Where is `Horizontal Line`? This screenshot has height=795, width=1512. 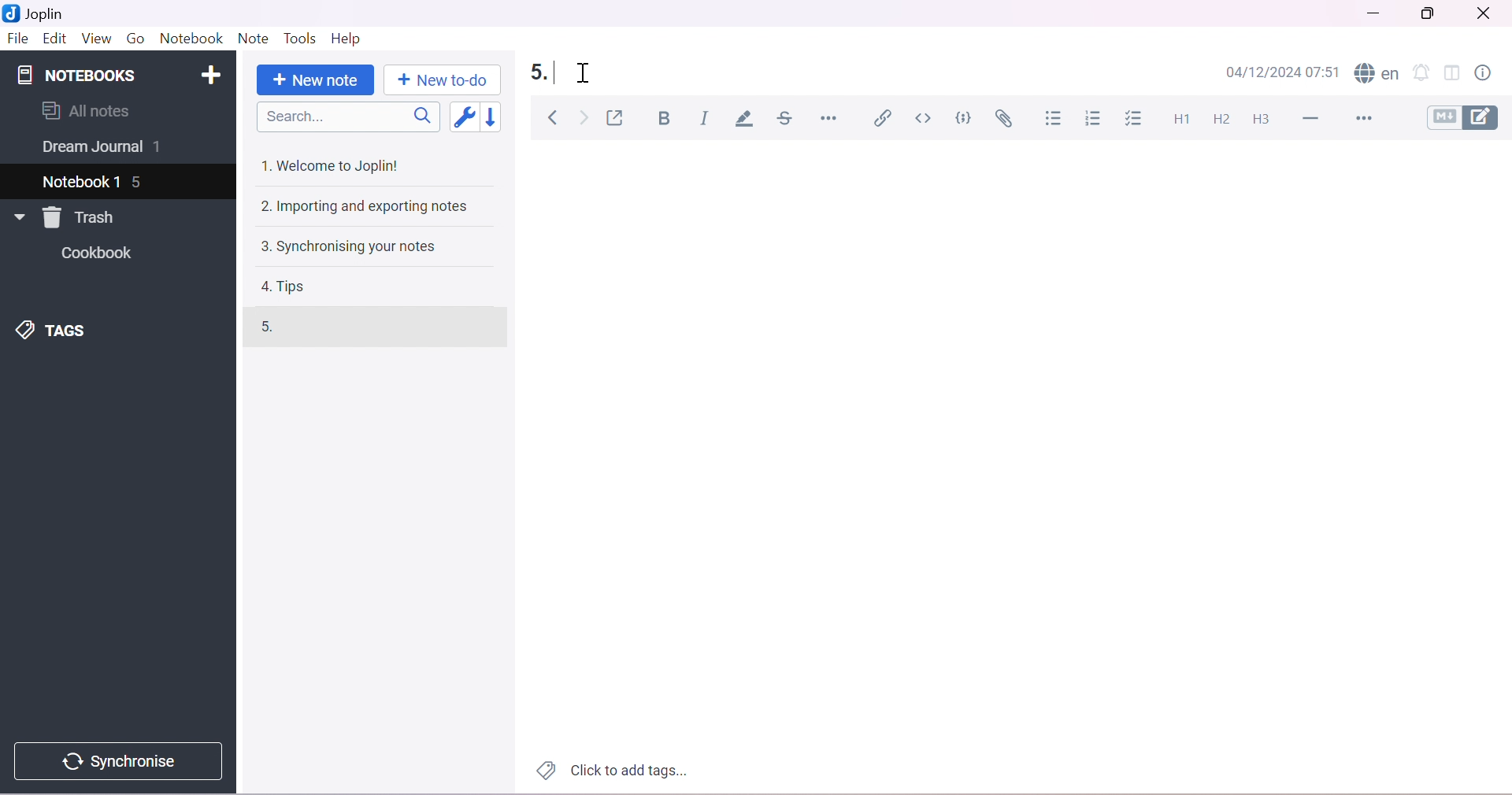
Horizontal Line is located at coordinates (1314, 119).